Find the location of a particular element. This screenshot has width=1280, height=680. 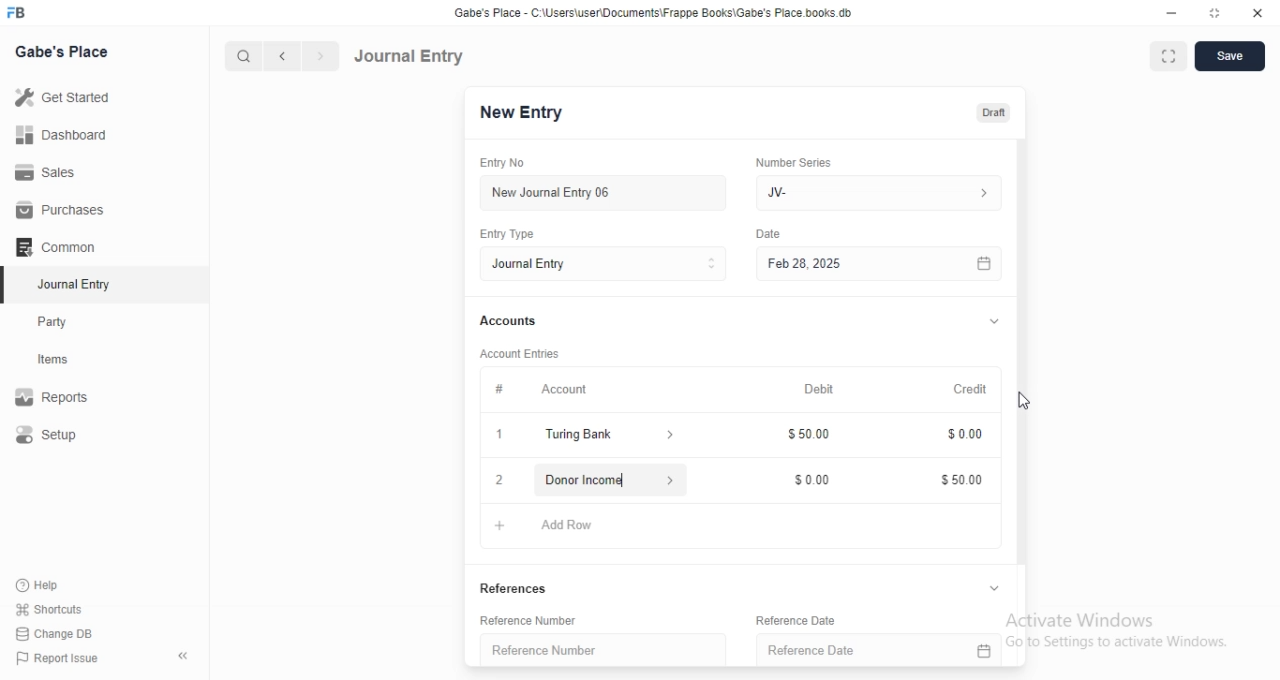

cursor is located at coordinates (1024, 401).